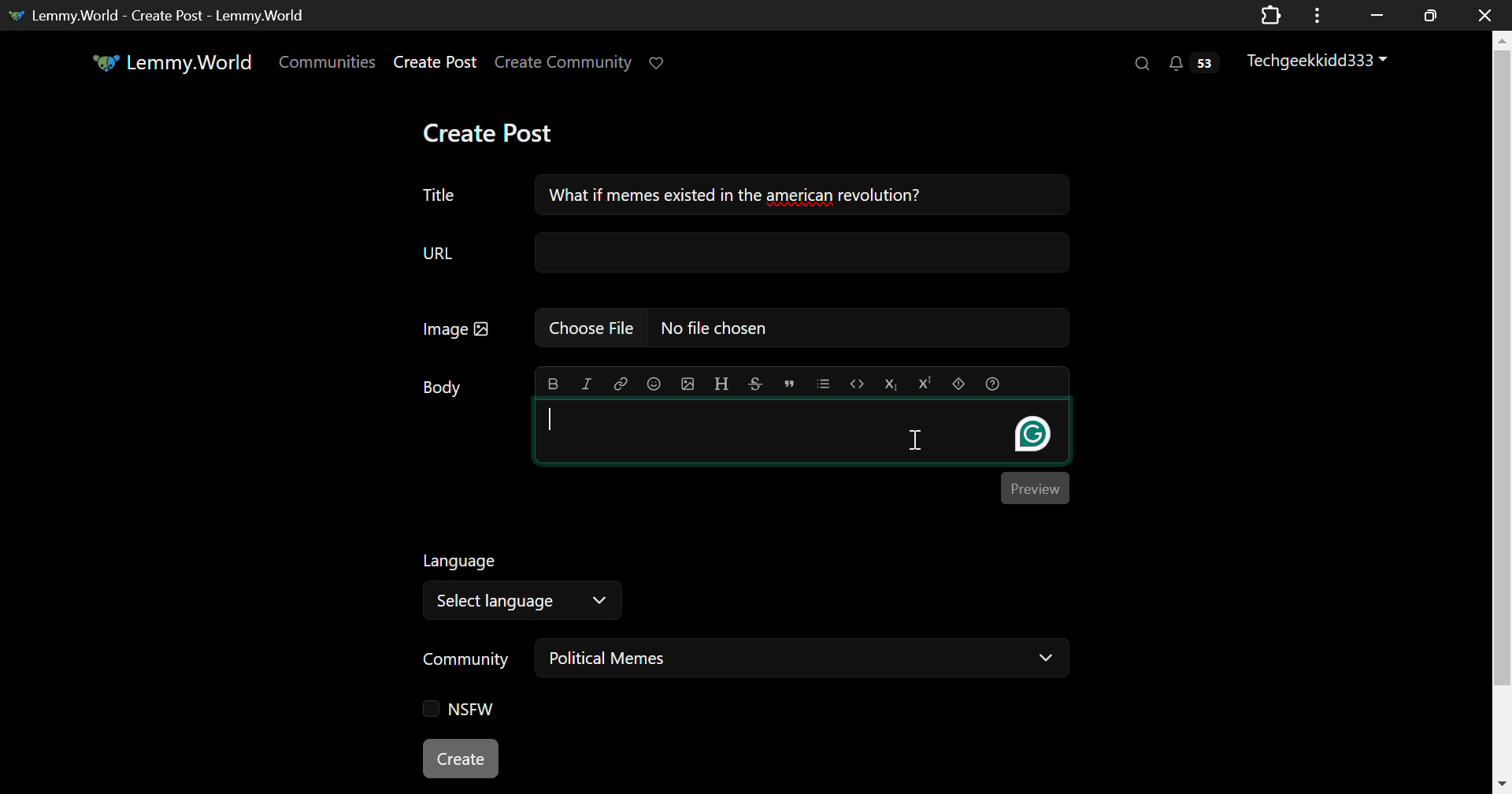  What do you see at coordinates (991, 384) in the screenshot?
I see `Formatting Help` at bounding box center [991, 384].